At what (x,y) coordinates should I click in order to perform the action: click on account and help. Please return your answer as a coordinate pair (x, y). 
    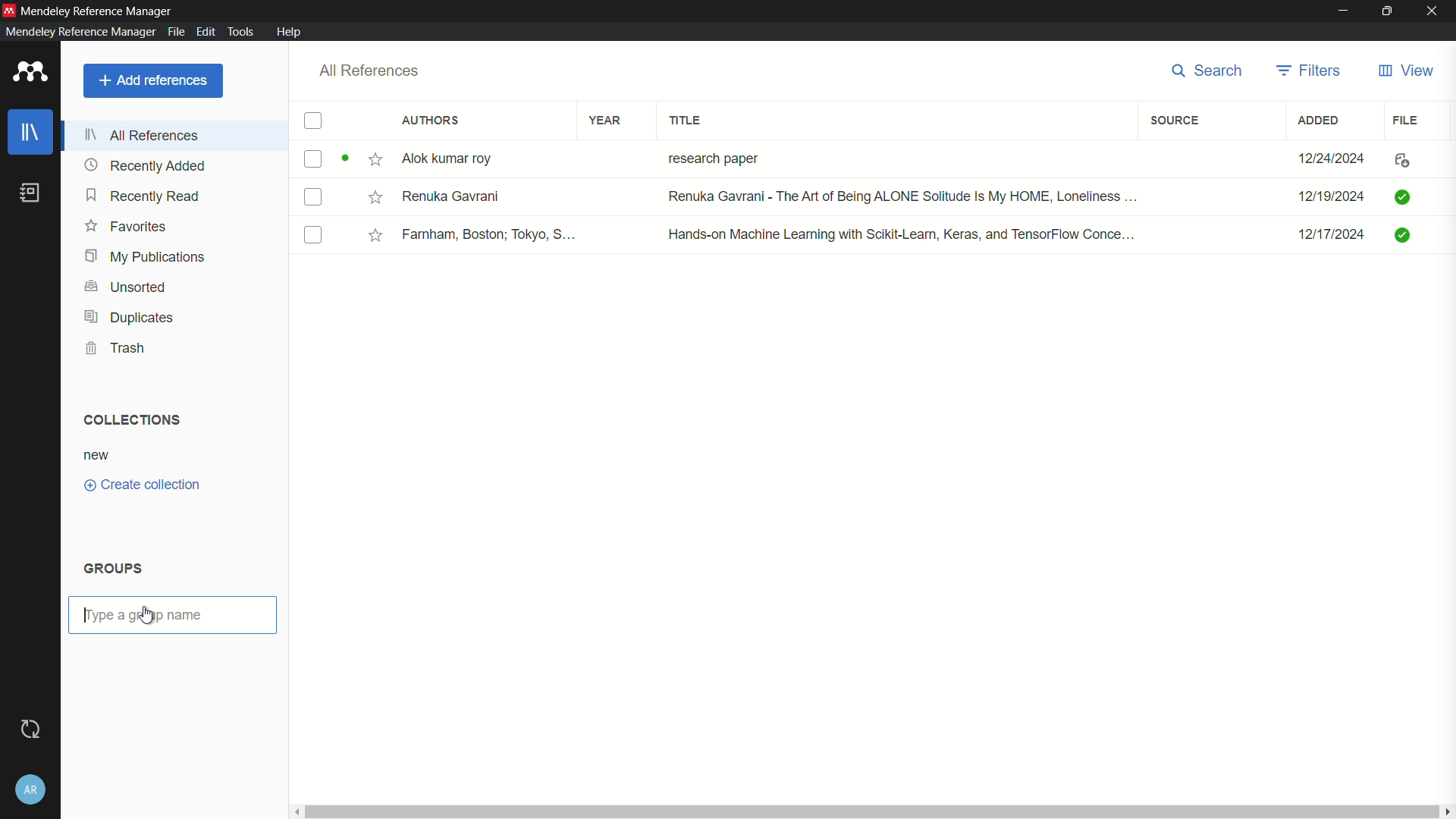
    Looking at the image, I should click on (31, 789).